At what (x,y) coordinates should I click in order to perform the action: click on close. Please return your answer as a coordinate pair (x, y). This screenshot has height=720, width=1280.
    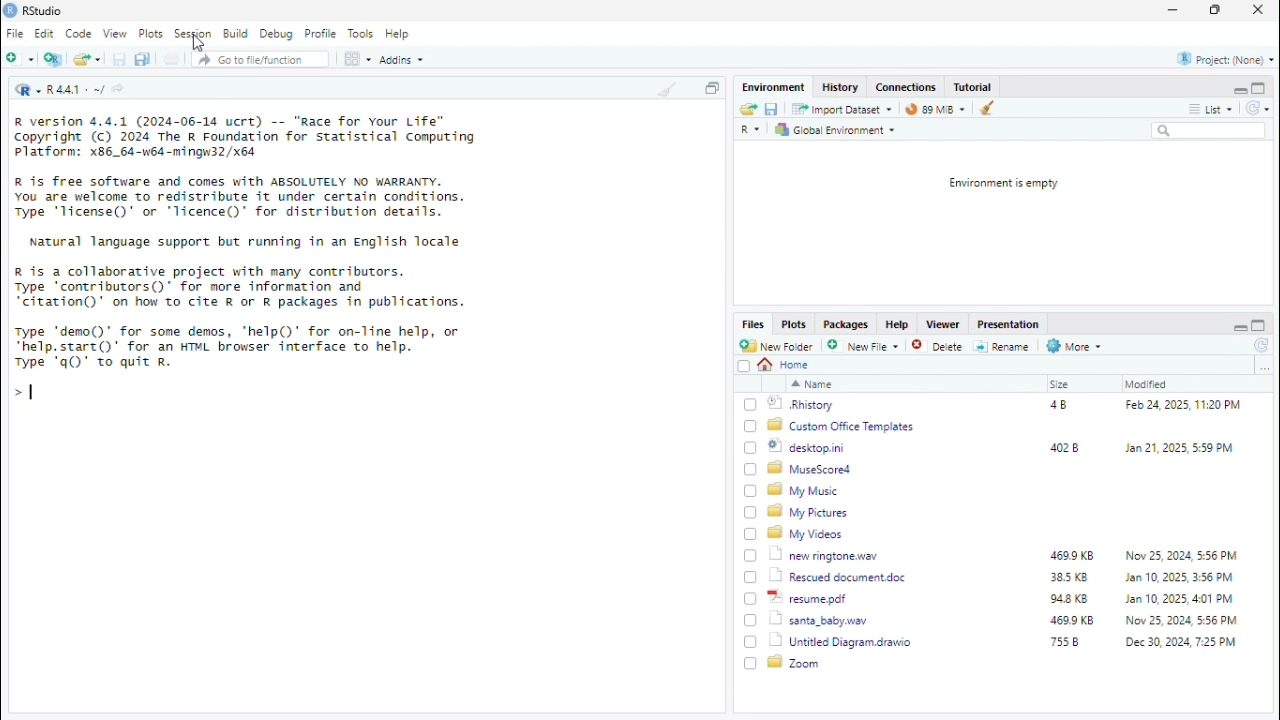
    Looking at the image, I should click on (1259, 9).